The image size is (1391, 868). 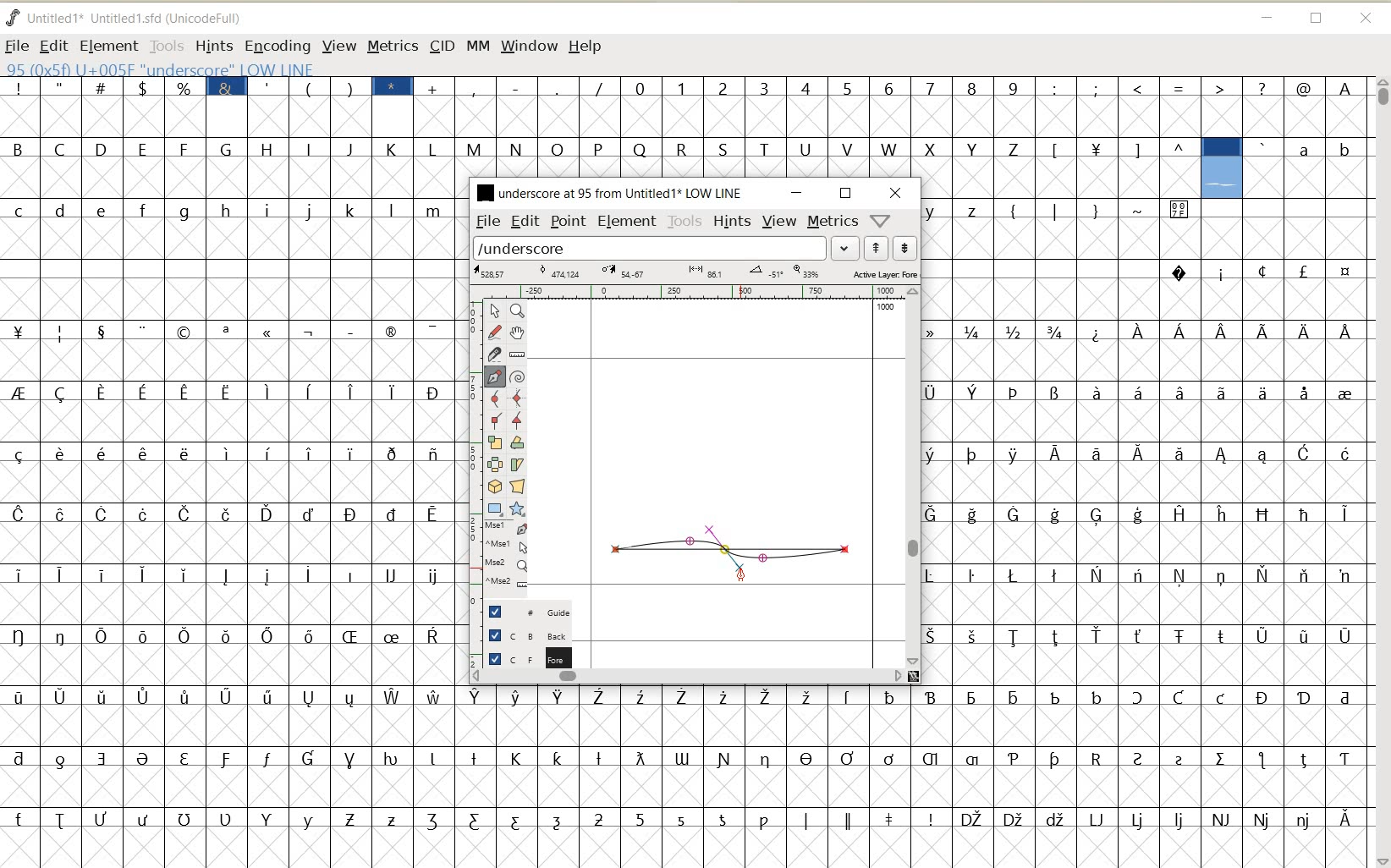 What do you see at coordinates (1059, 491) in the screenshot?
I see `GLYPHY CHARACTERS` at bounding box center [1059, 491].